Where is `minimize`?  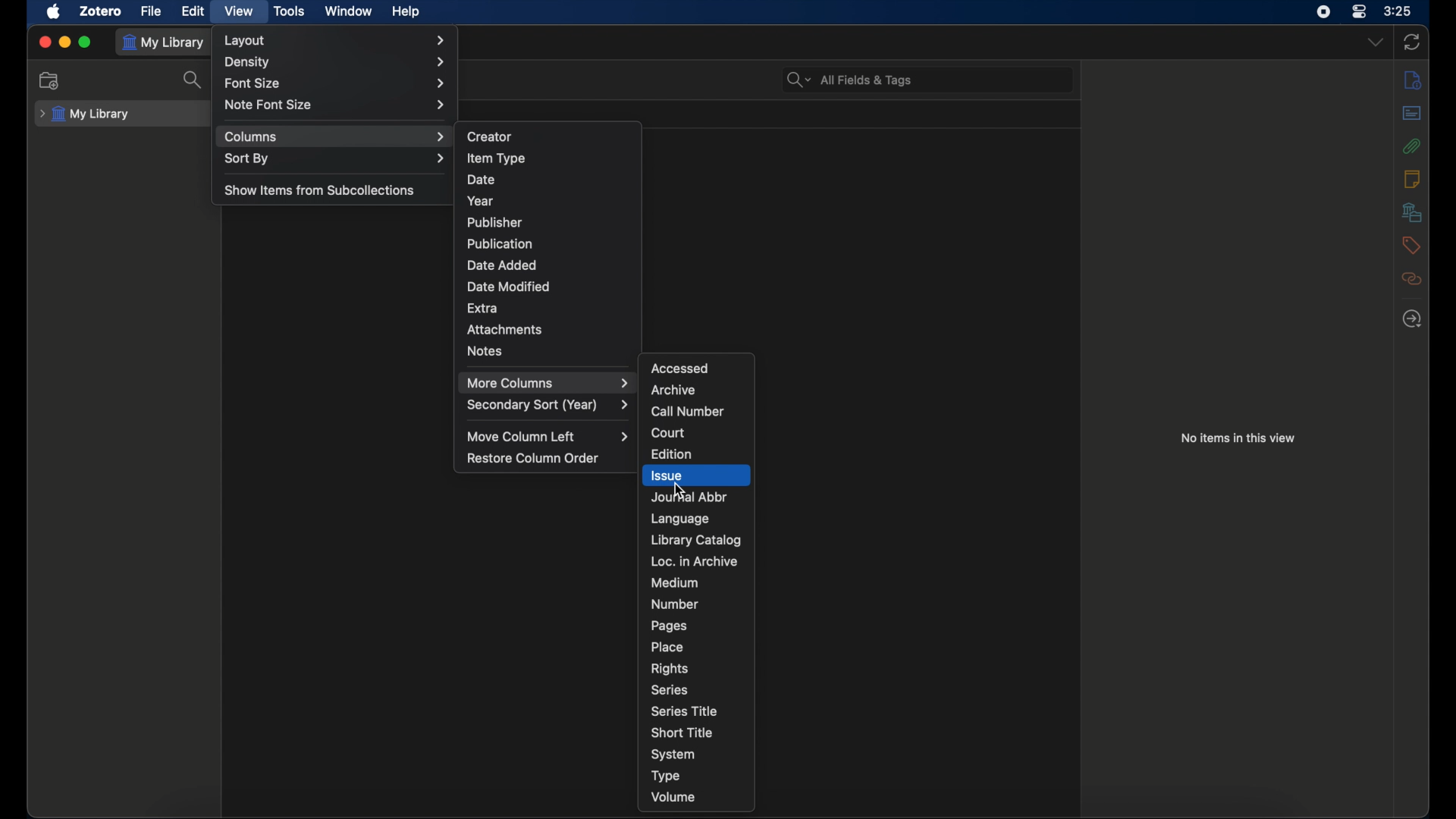
minimize is located at coordinates (65, 42).